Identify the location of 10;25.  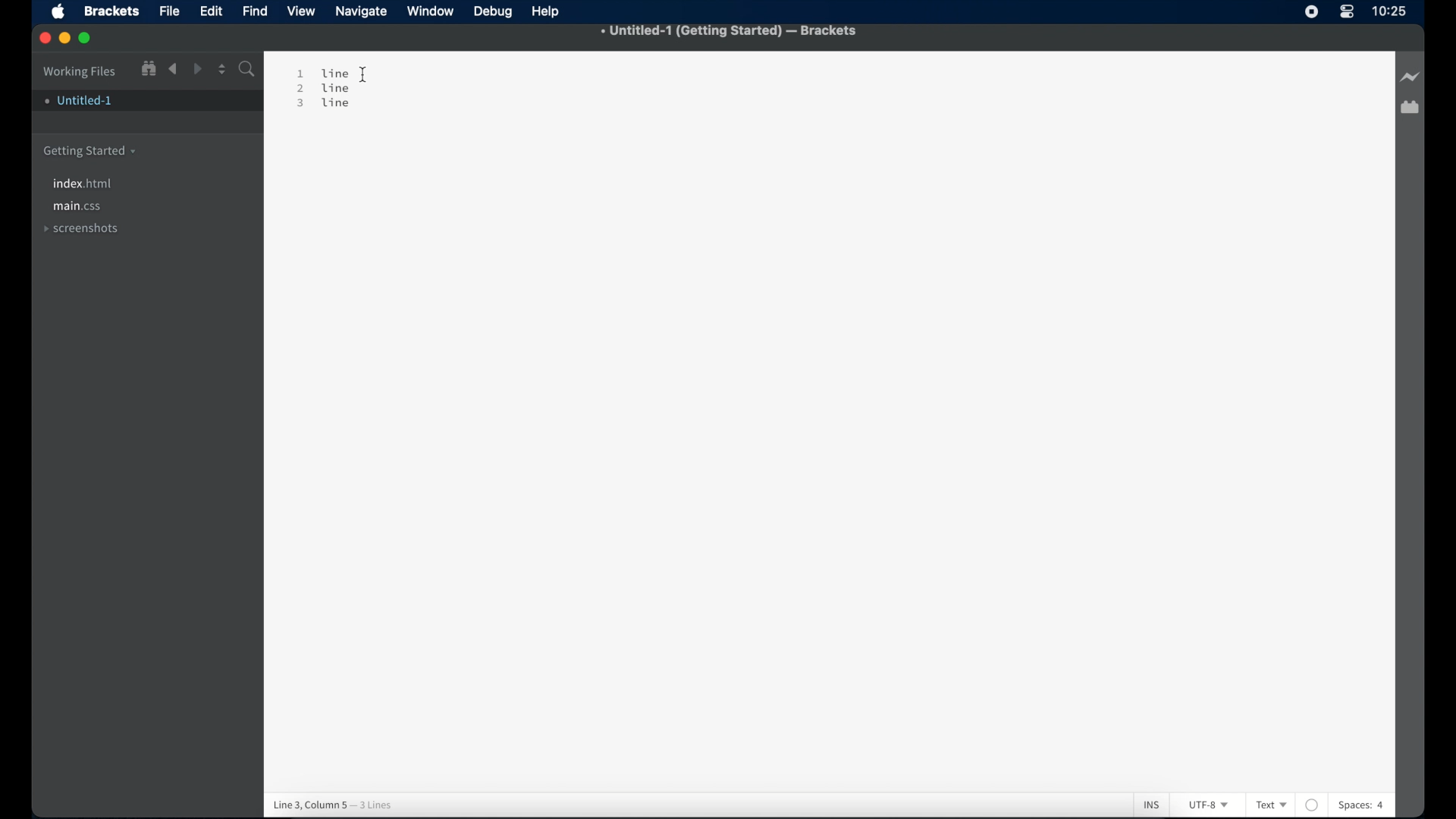
(1390, 15).